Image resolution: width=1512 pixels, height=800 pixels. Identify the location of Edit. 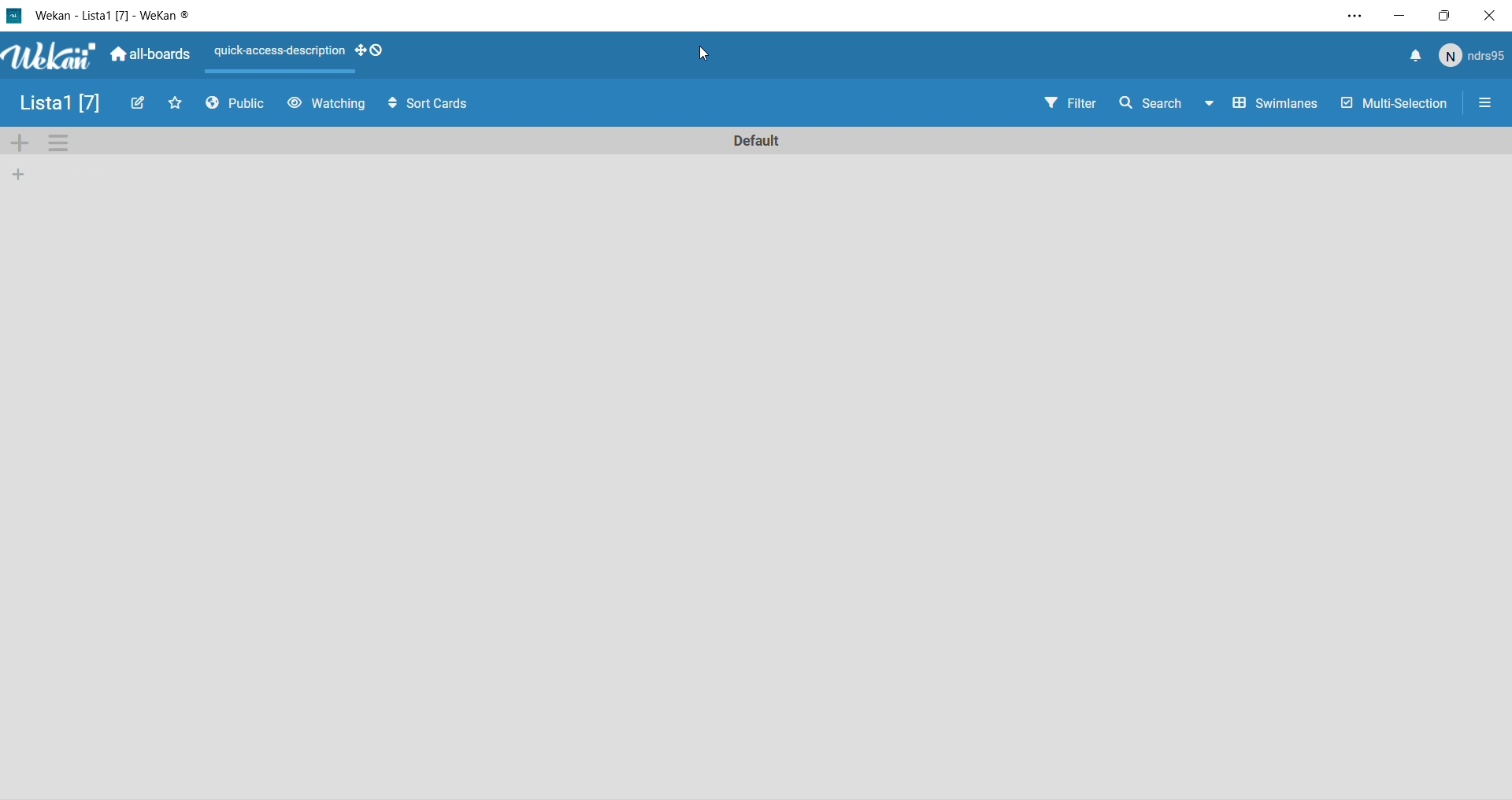
(137, 106).